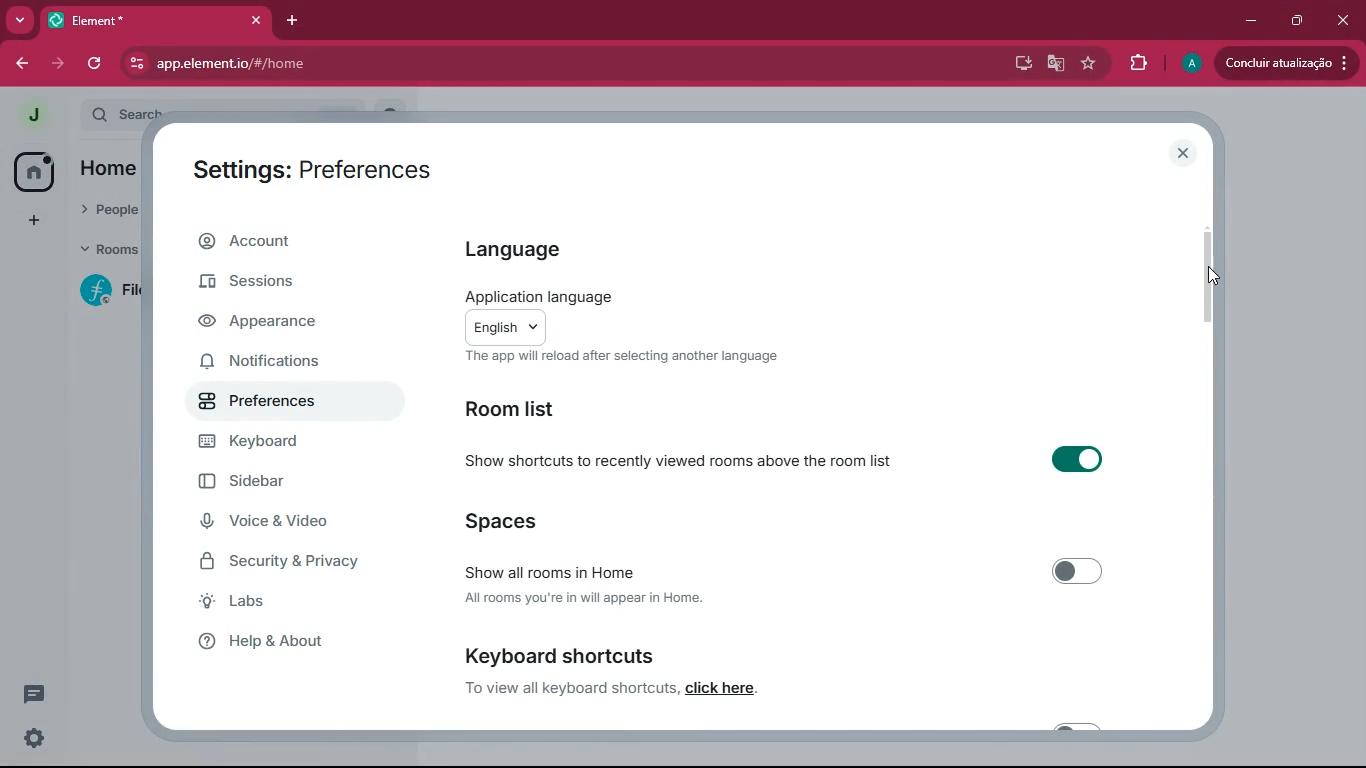  Describe the element at coordinates (288, 643) in the screenshot. I see `help` at that location.